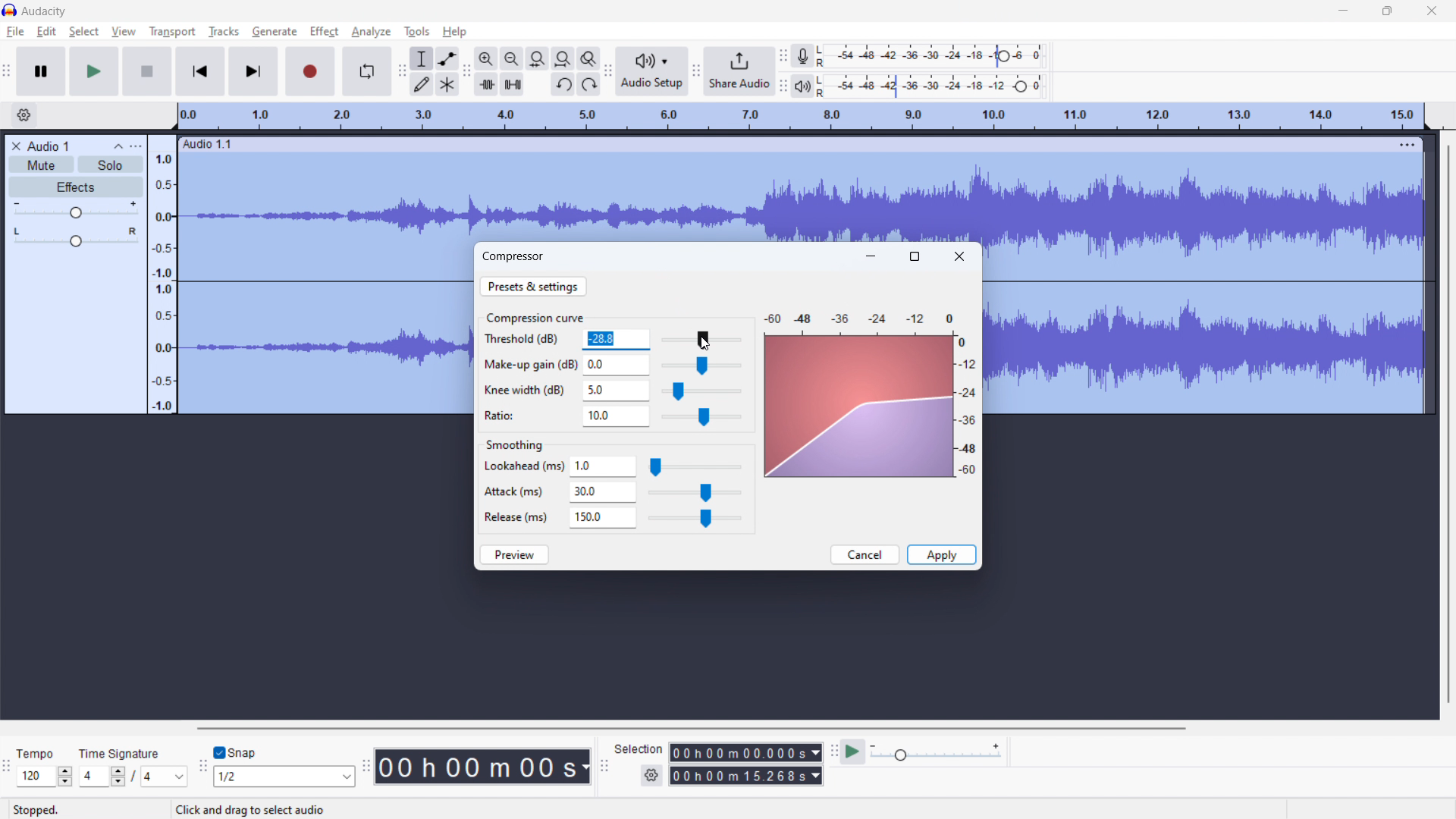 The height and width of the screenshot is (819, 1456). Describe the element at coordinates (1409, 144) in the screenshot. I see `menu` at that location.